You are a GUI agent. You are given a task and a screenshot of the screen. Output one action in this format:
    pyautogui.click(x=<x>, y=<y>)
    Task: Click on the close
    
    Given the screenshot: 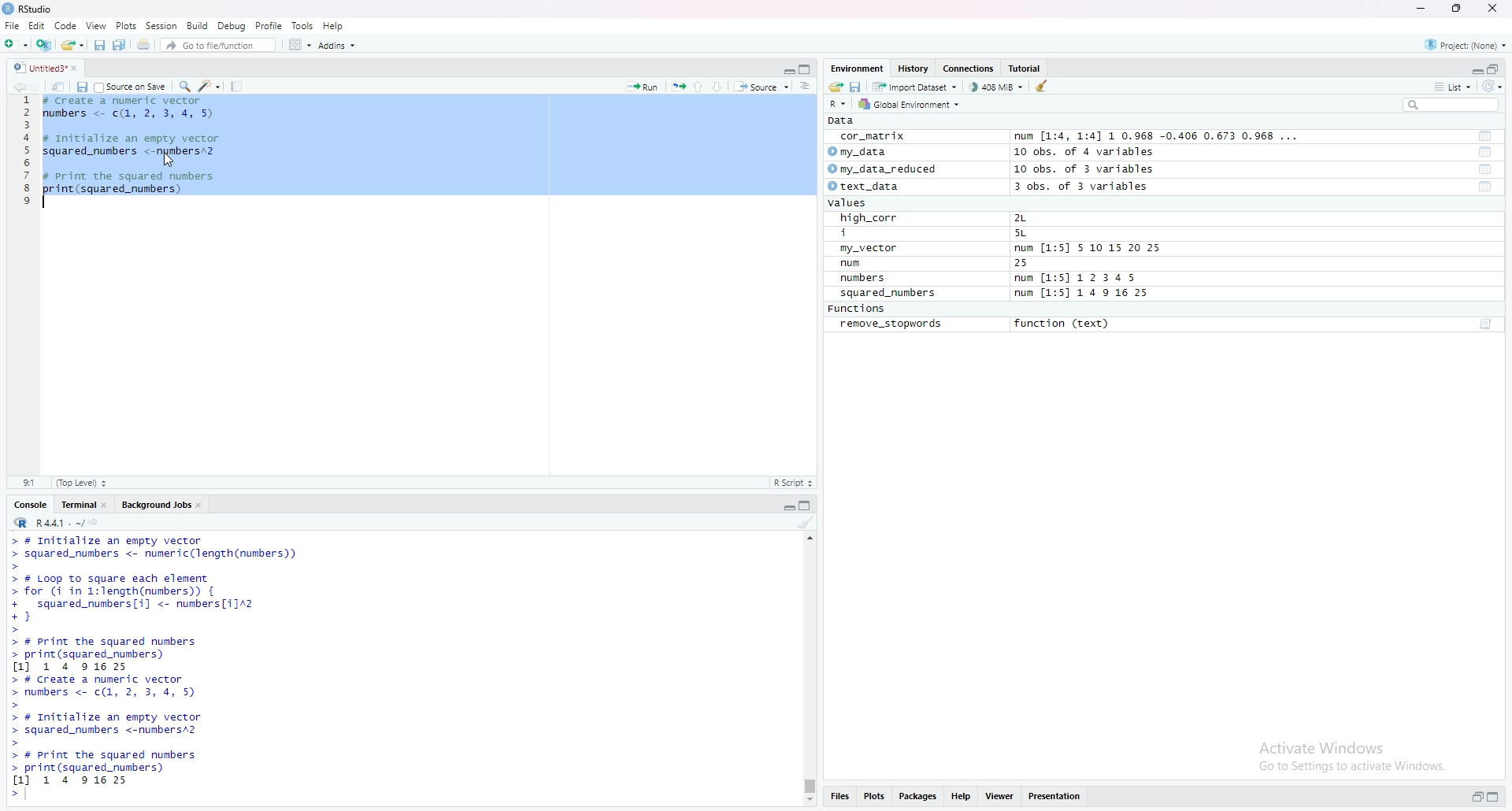 What is the action you would take?
    pyautogui.click(x=107, y=503)
    